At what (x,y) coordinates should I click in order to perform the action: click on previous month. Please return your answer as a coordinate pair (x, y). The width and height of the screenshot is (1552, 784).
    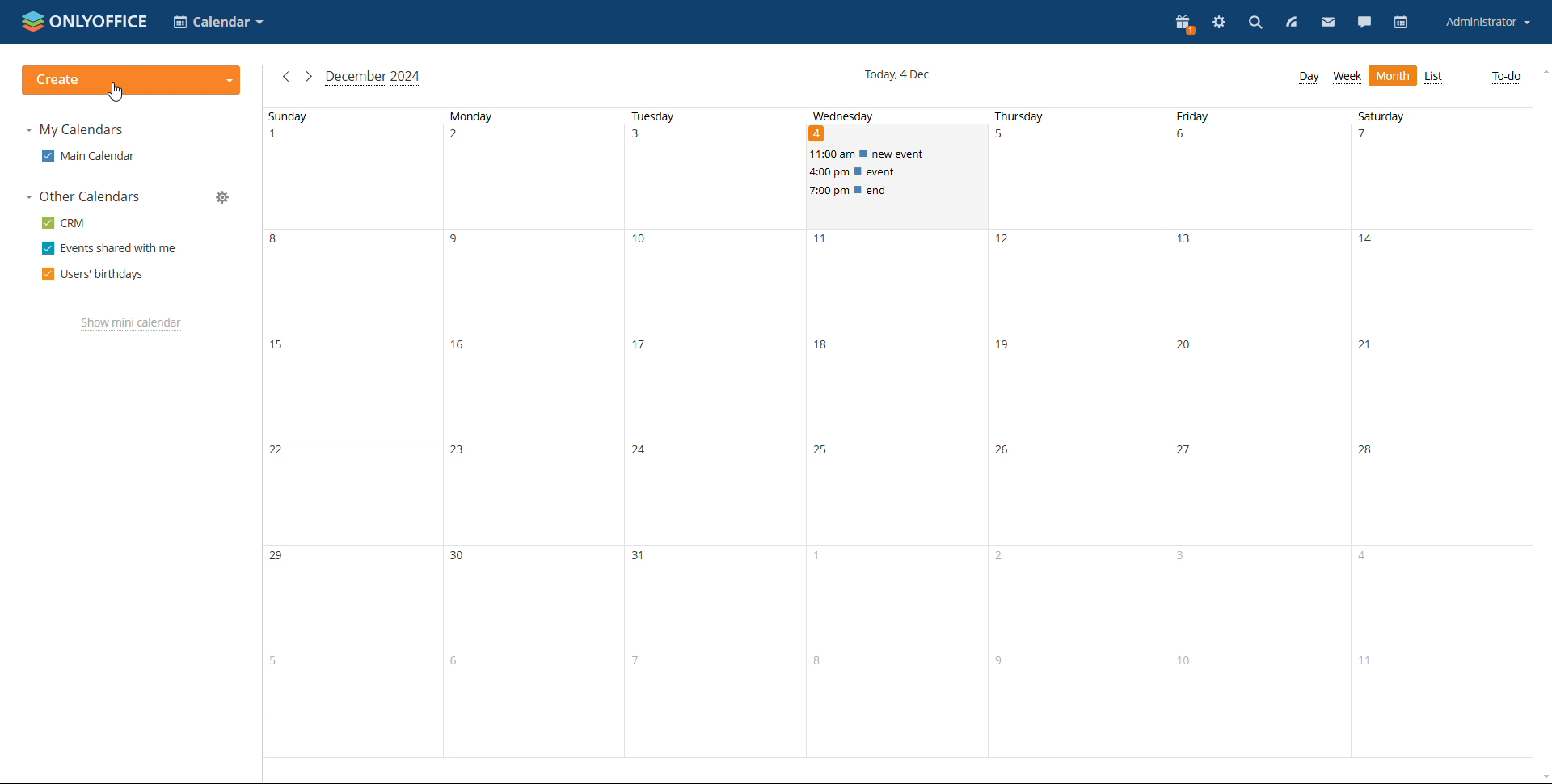
    Looking at the image, I should click on (287, 78).